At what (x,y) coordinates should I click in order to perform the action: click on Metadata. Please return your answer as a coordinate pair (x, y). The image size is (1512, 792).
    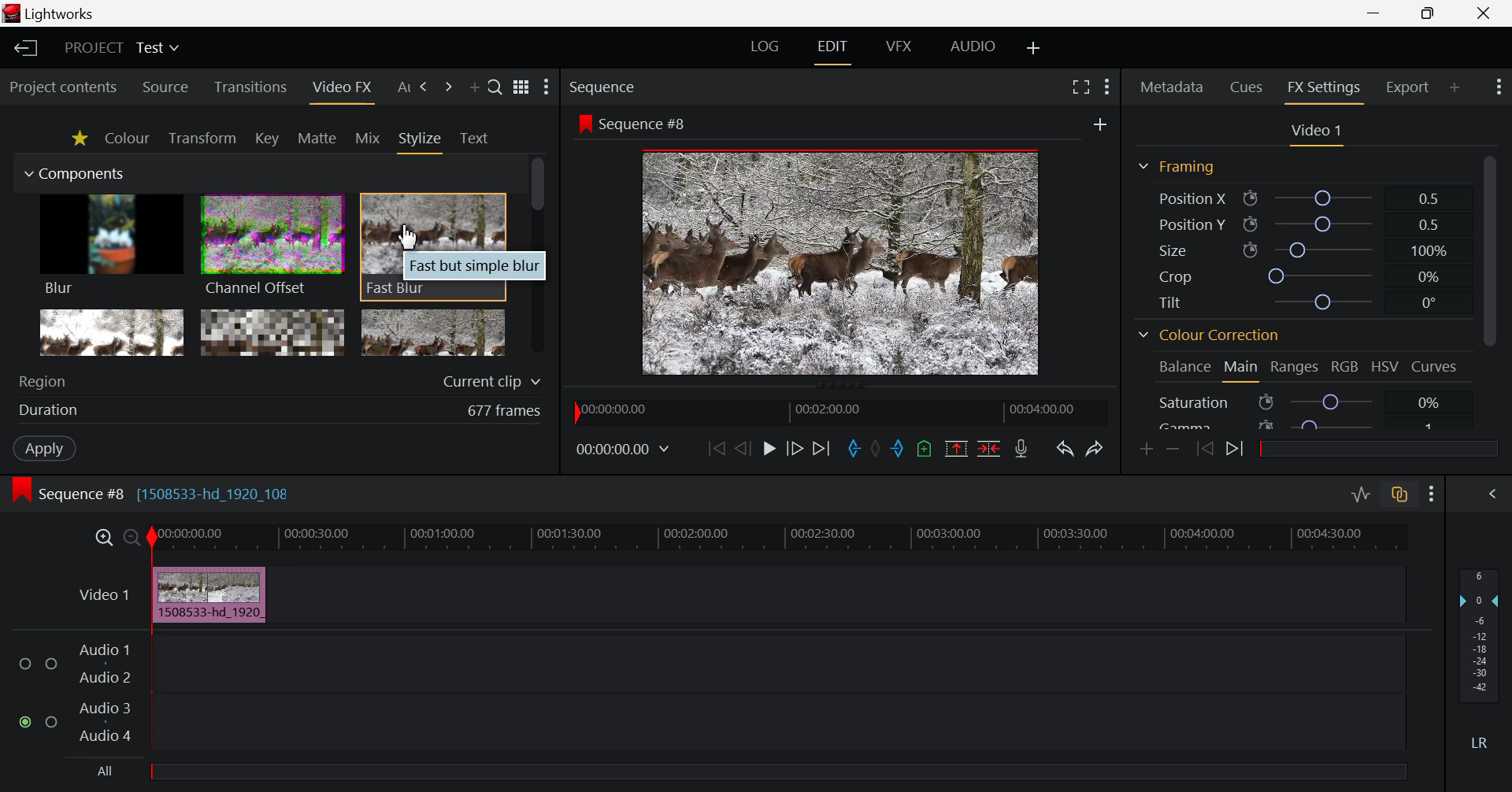
    Looking at the image, I should click on (1171, 89).